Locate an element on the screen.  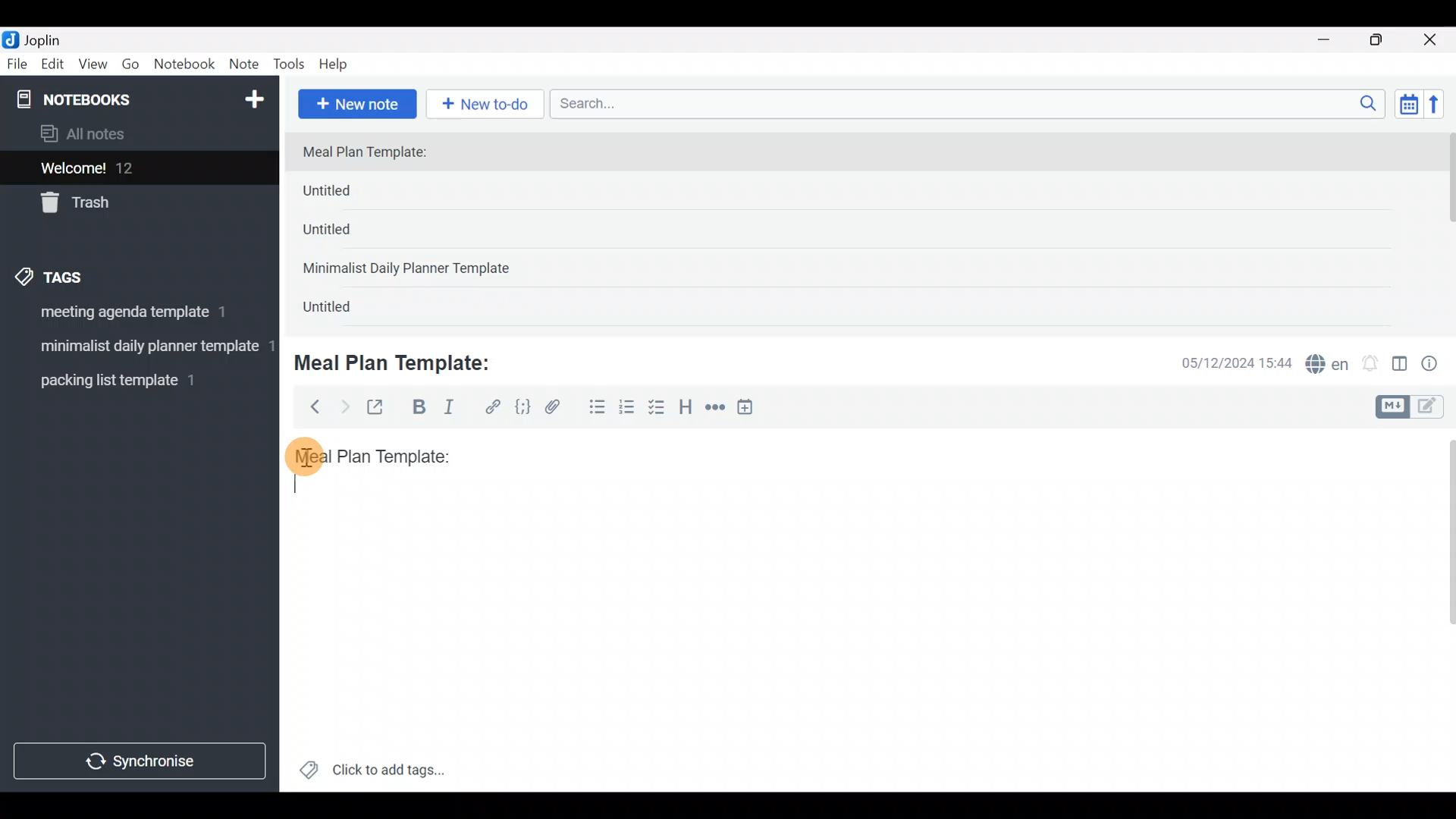
Italic is located at coordinates (447, 410).